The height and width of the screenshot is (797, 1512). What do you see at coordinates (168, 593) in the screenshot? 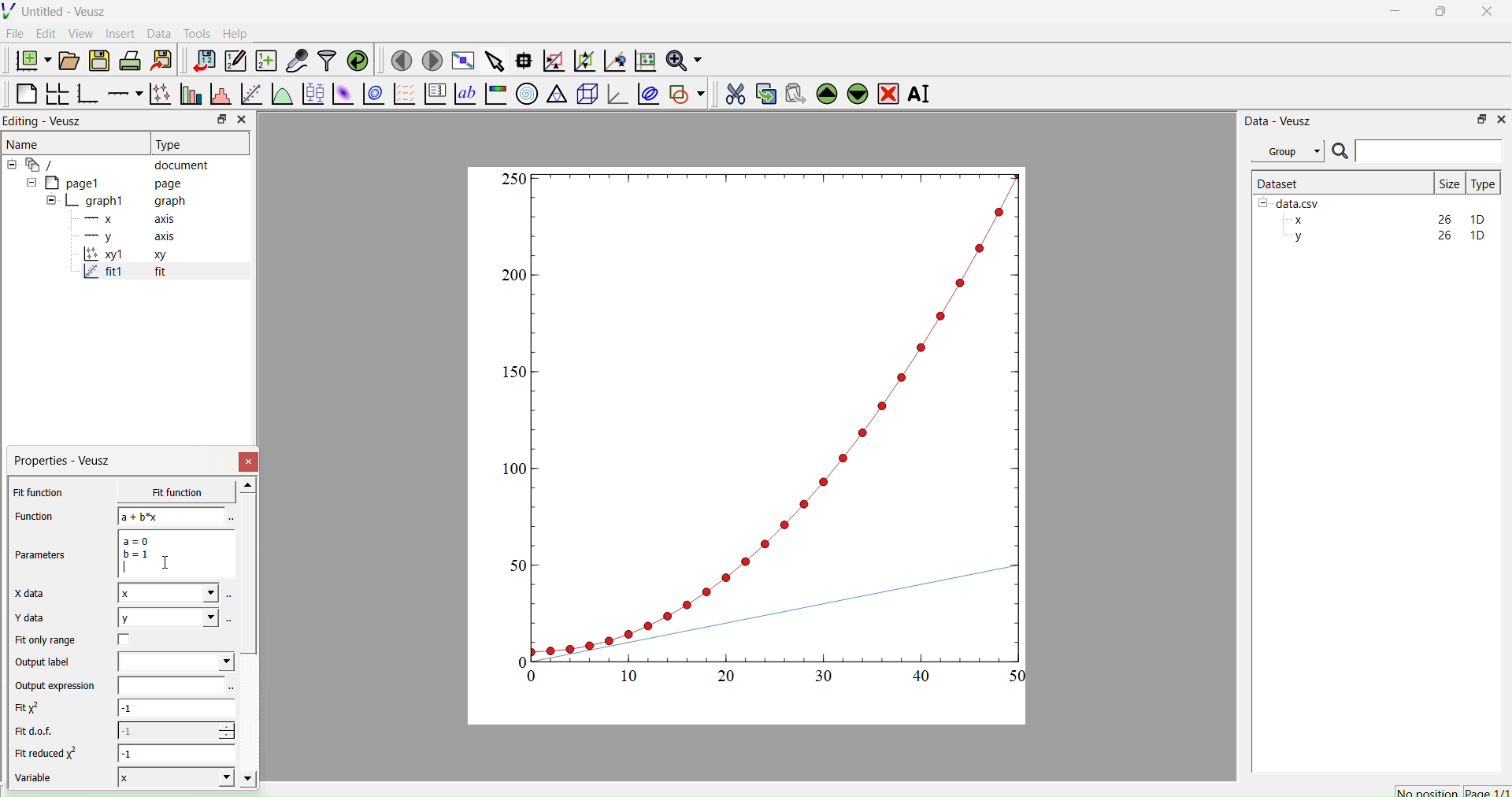
I see `x ` at bounding box center [168, 593].